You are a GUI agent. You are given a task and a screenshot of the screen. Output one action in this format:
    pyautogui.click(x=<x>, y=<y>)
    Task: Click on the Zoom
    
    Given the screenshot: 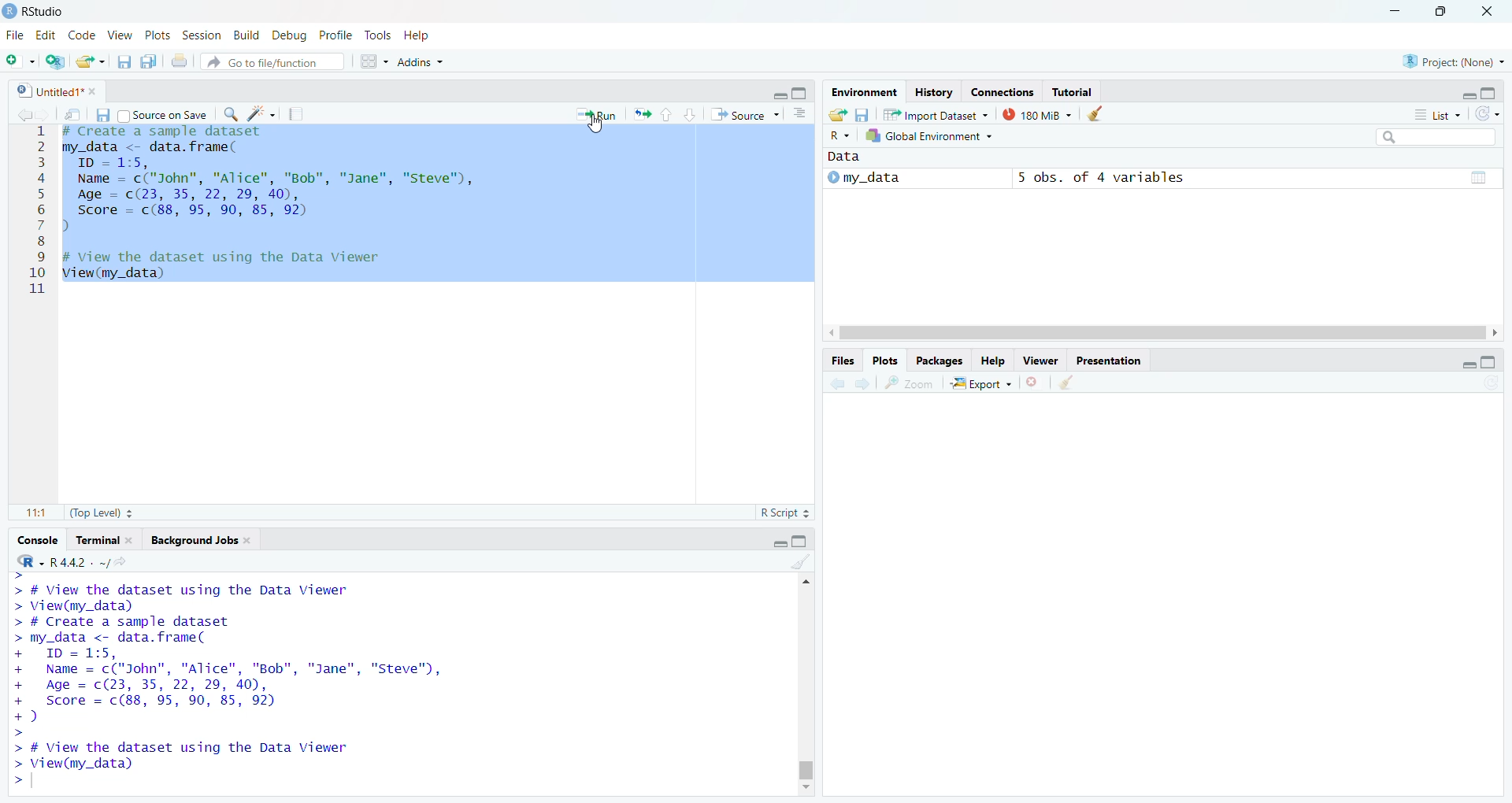 What is the action you would take?
    pyautogui.click(x=906, y=382)
    